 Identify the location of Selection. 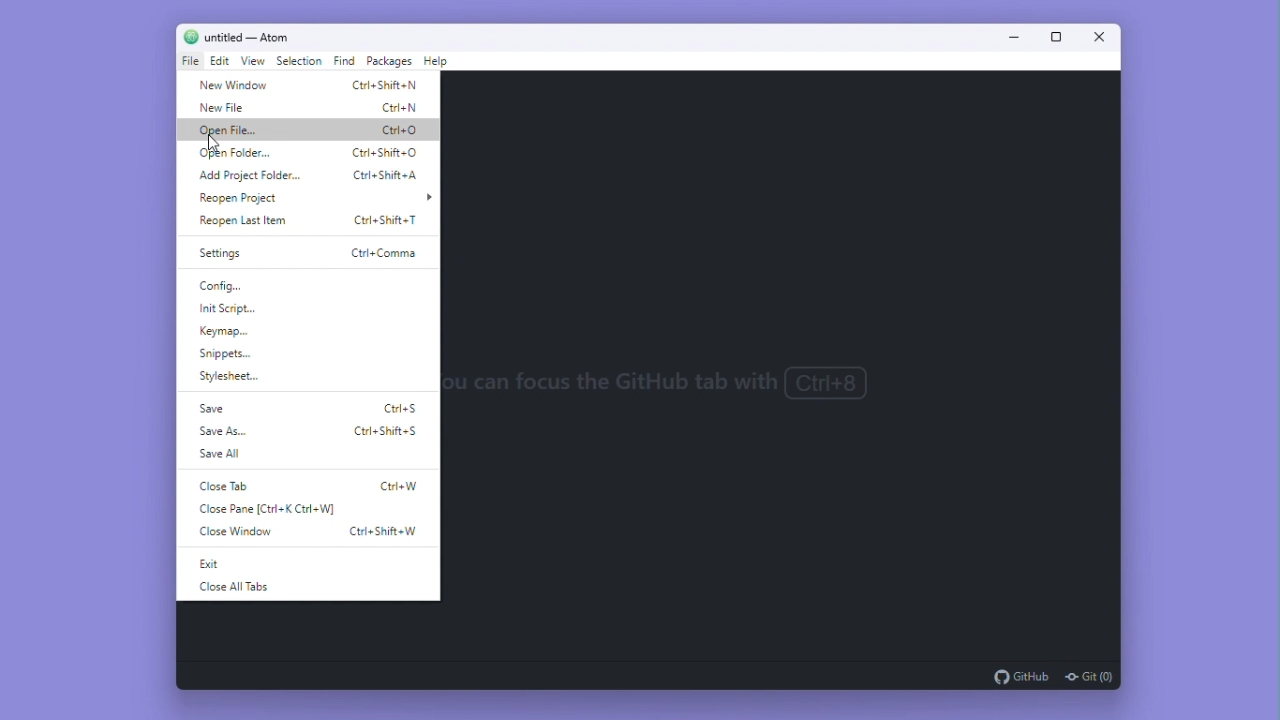
(300, 61).